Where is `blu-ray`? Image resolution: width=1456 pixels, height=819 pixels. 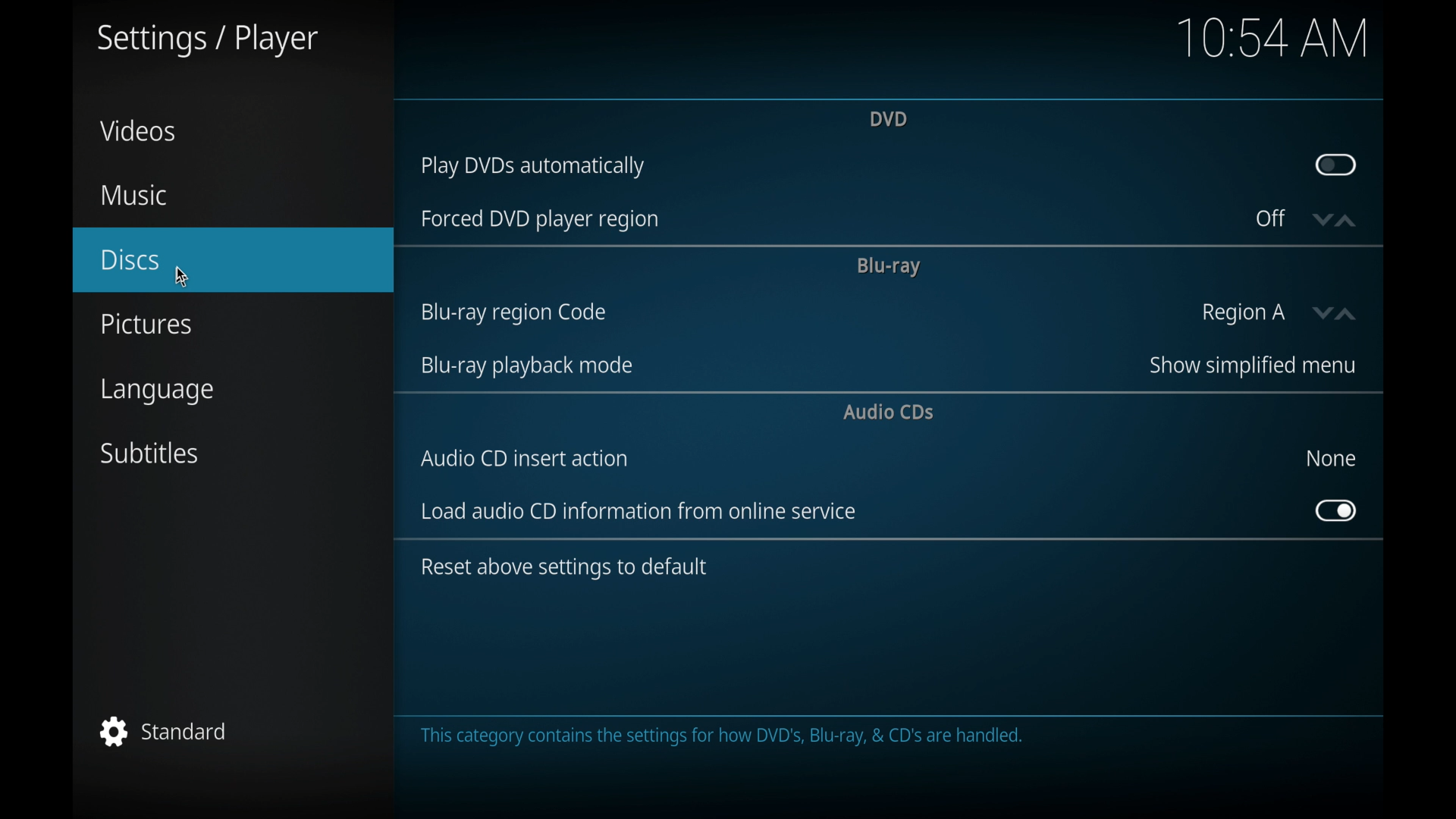
blu-ray is located at coordinates (887, 266).